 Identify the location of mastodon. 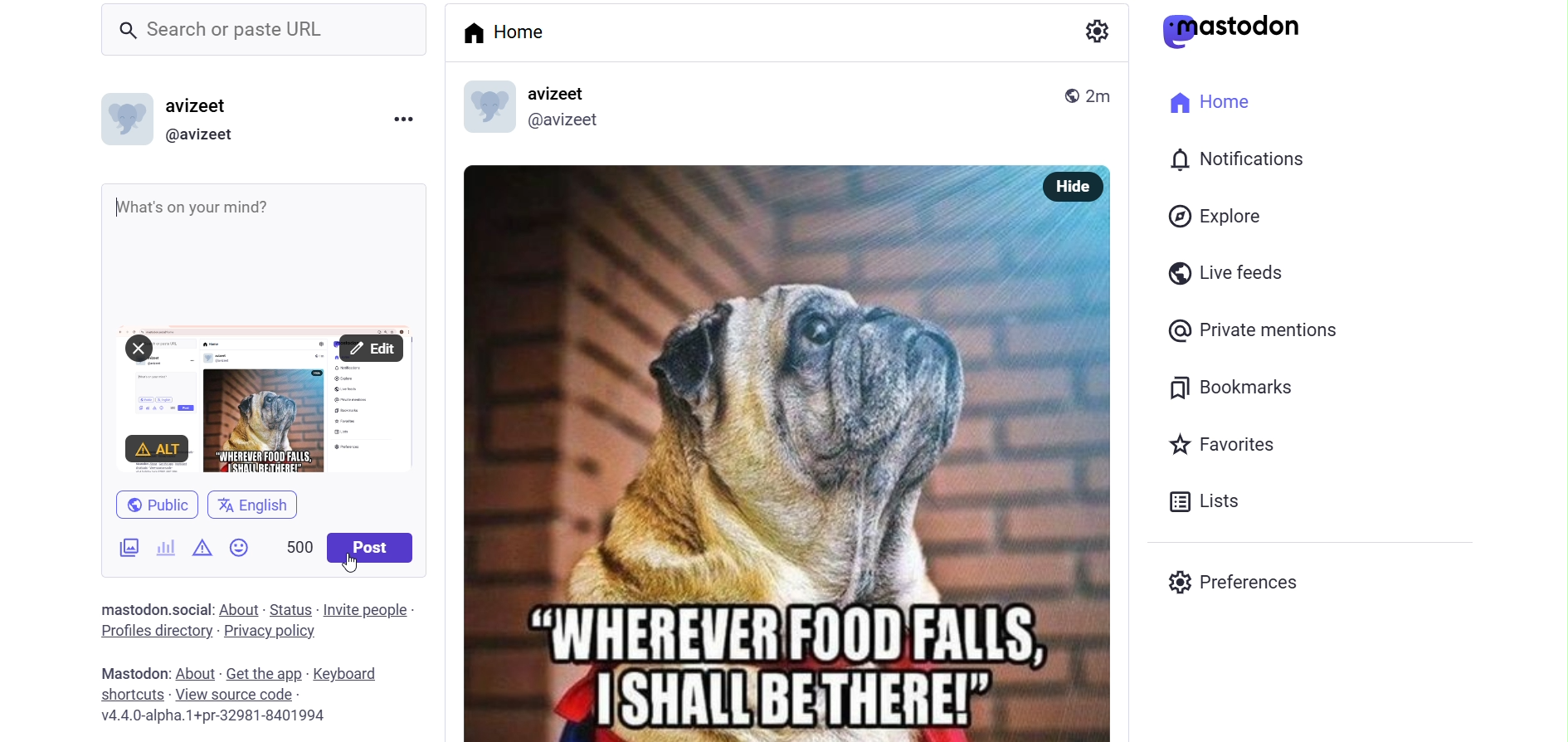
(134, 671).